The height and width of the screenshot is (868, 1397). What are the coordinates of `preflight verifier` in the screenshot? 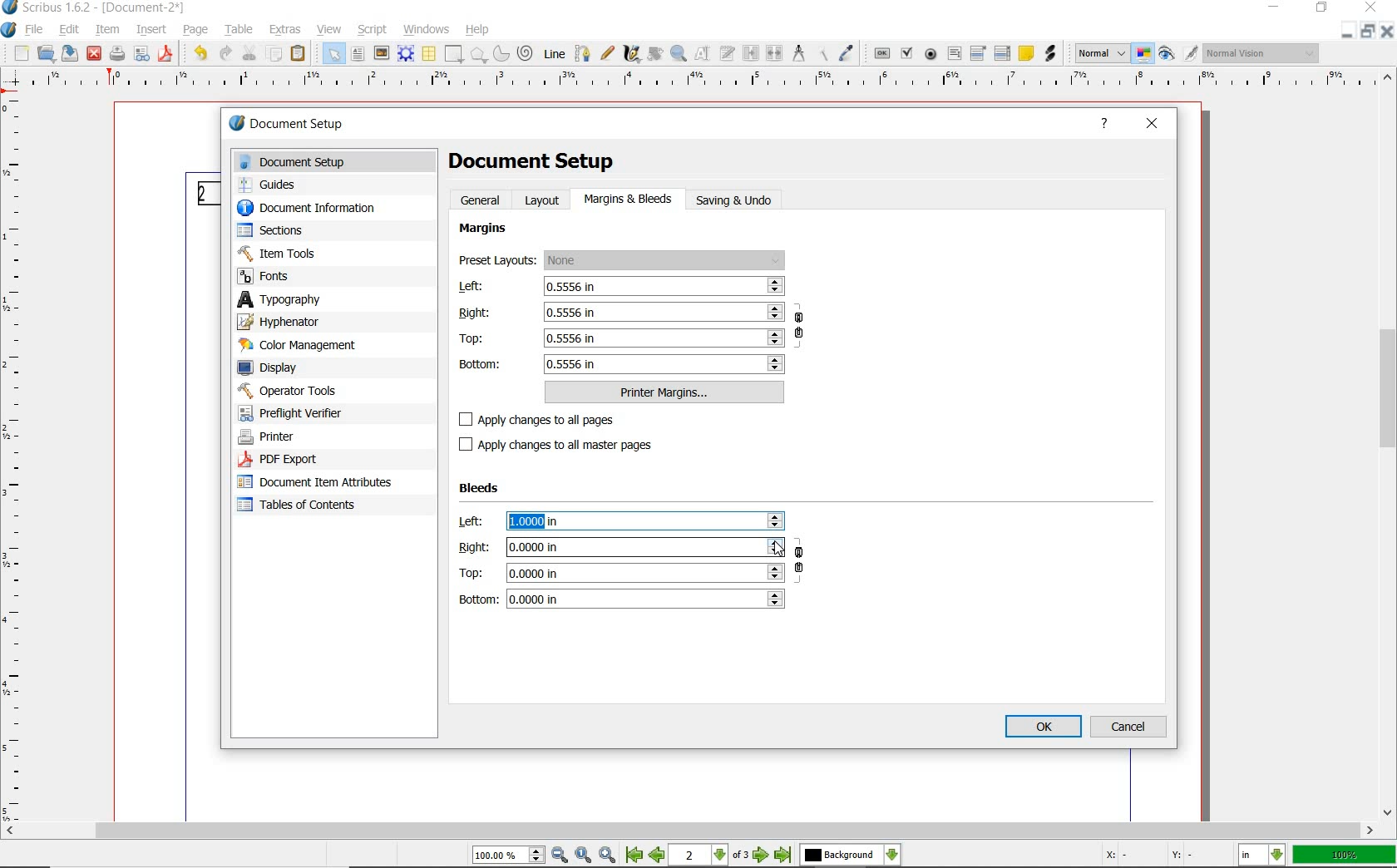 It's located at (143, 54).